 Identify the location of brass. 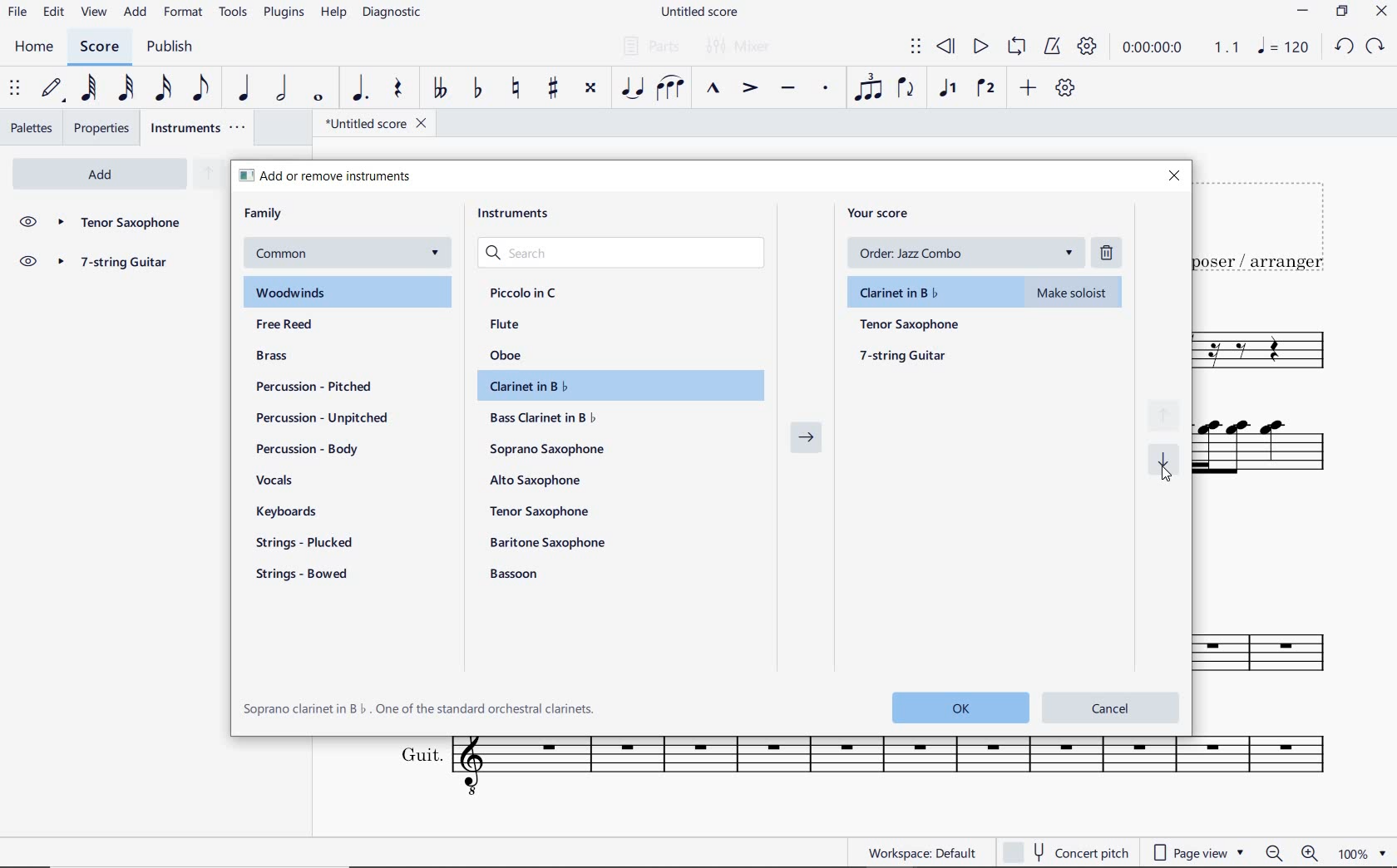
(293, 358).